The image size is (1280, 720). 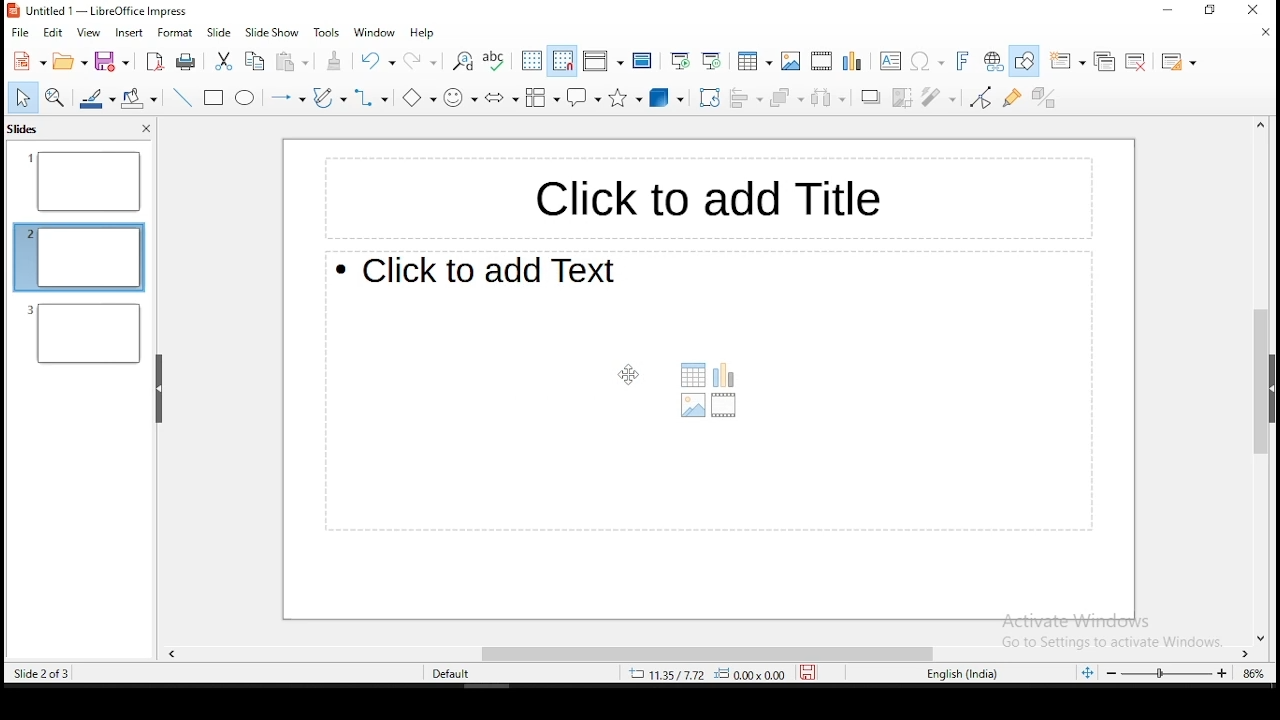 What do you see at coordinates (55, 97) in the screenshot?
I see `zoom and pan` at bounding box center [55, 97].